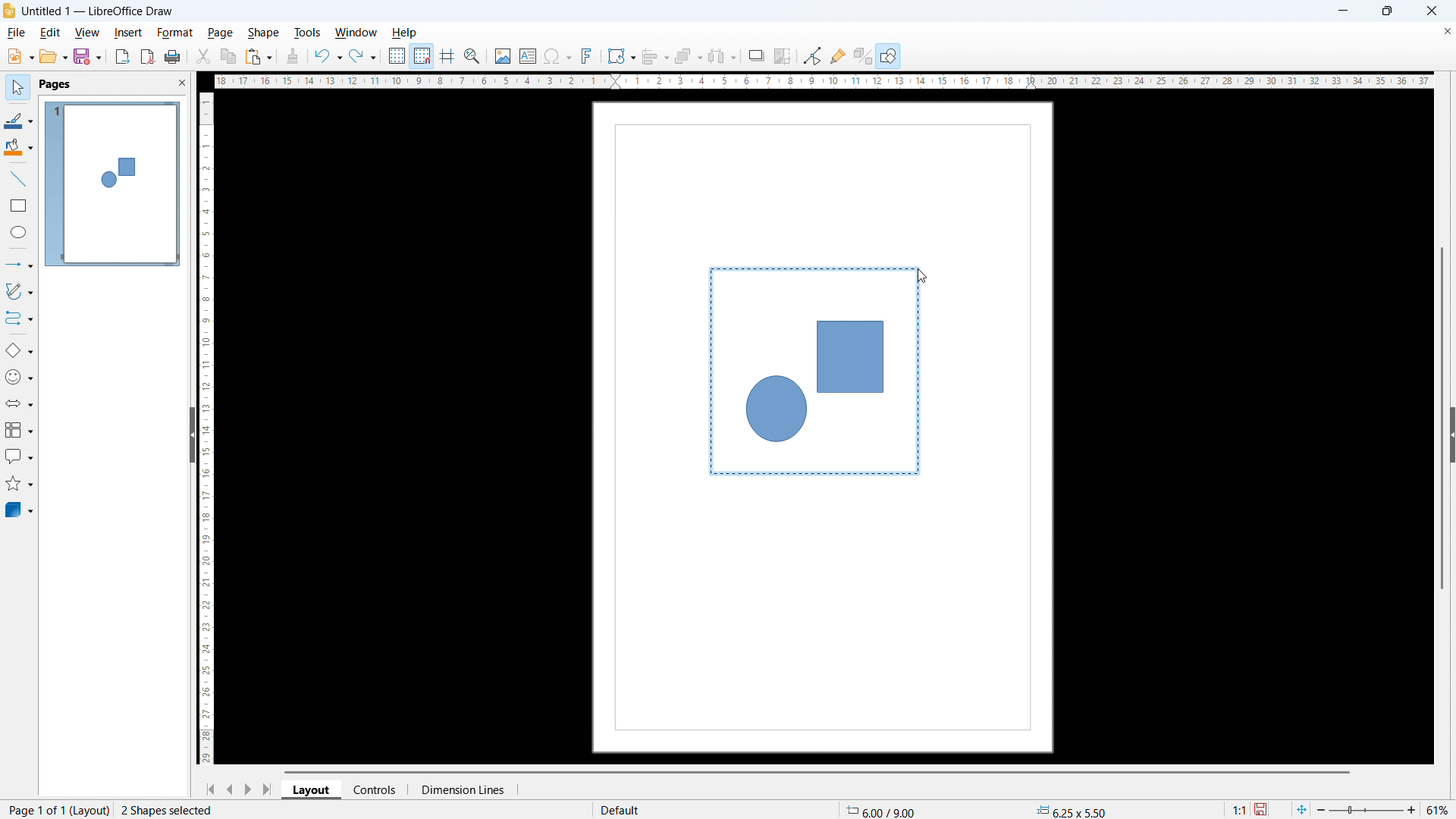  I want to click on redo, so click(364, 57).